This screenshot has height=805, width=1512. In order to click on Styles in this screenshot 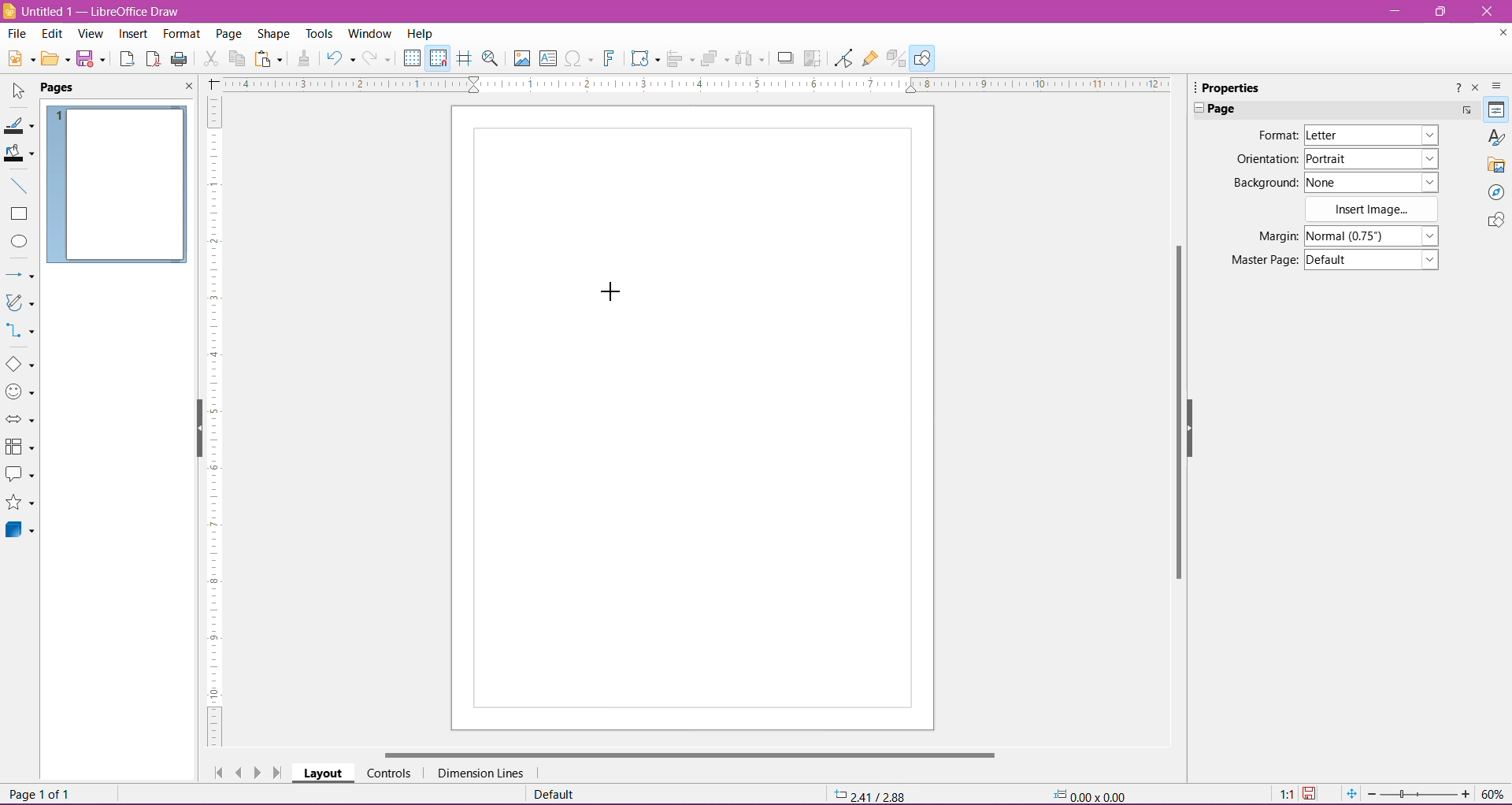, I will do `click(1495, 137)`.